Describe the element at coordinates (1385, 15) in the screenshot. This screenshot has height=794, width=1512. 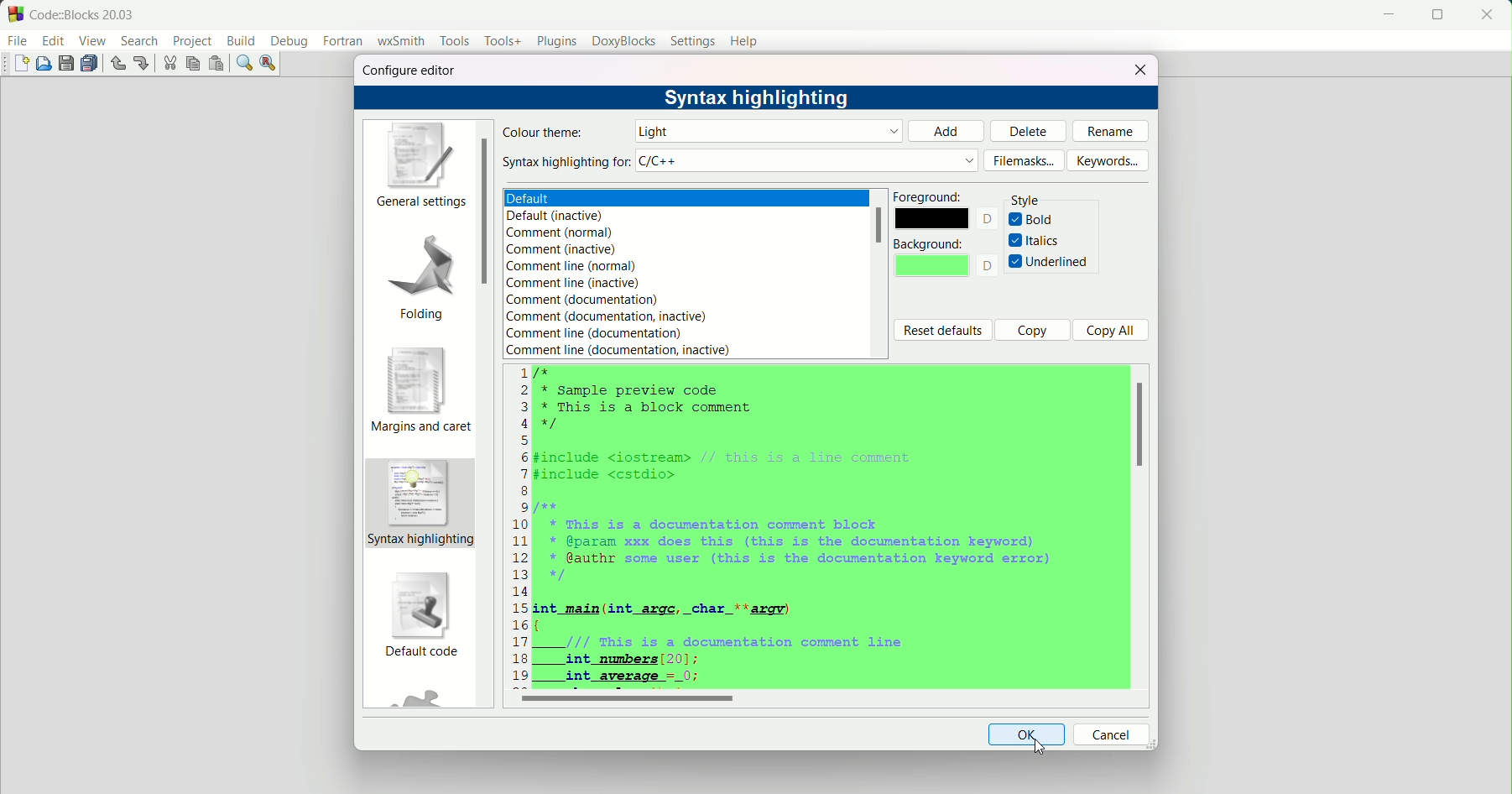
I see `minimize` at that location.